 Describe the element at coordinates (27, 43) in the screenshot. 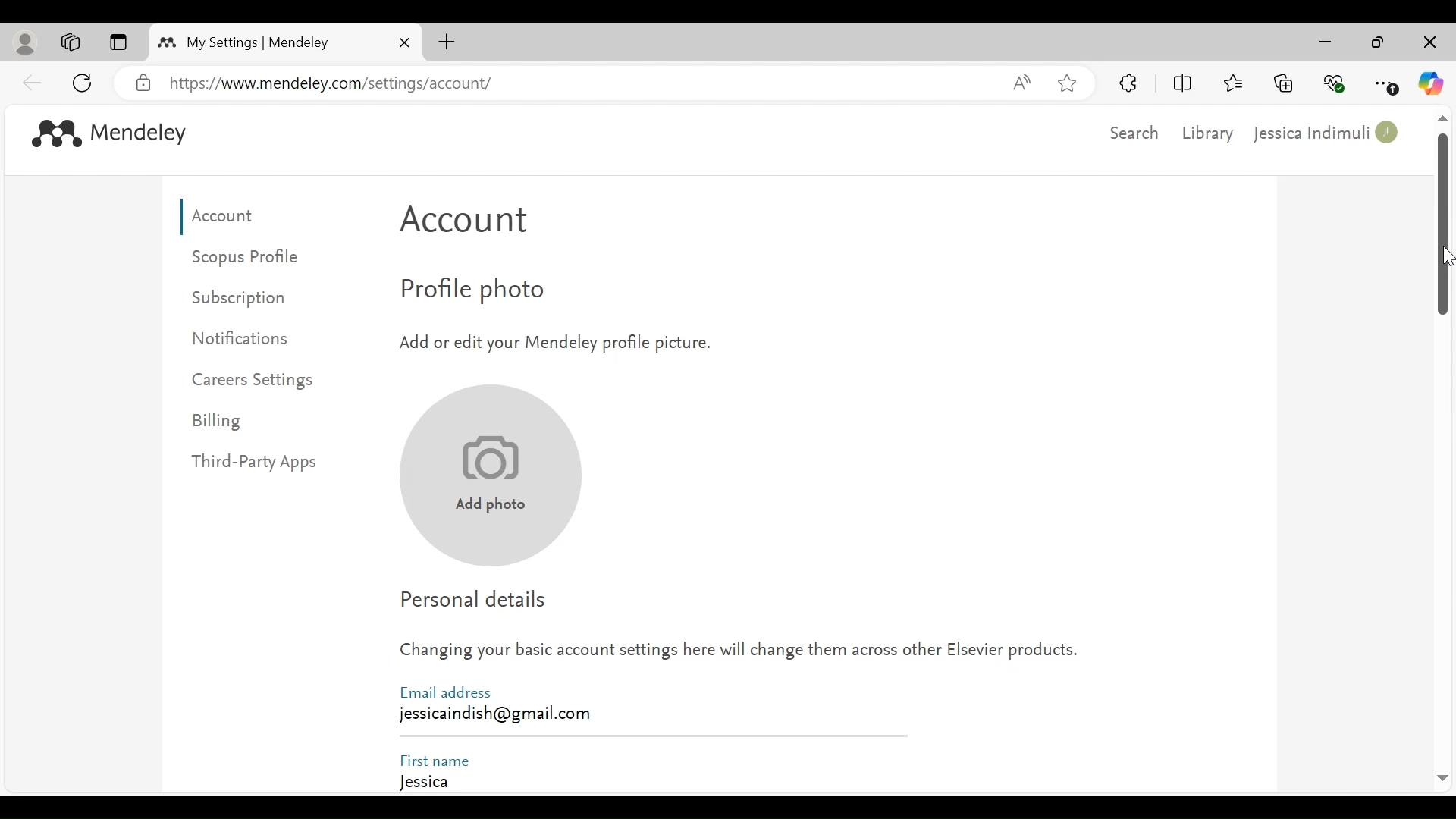

I see `personal` at that location.